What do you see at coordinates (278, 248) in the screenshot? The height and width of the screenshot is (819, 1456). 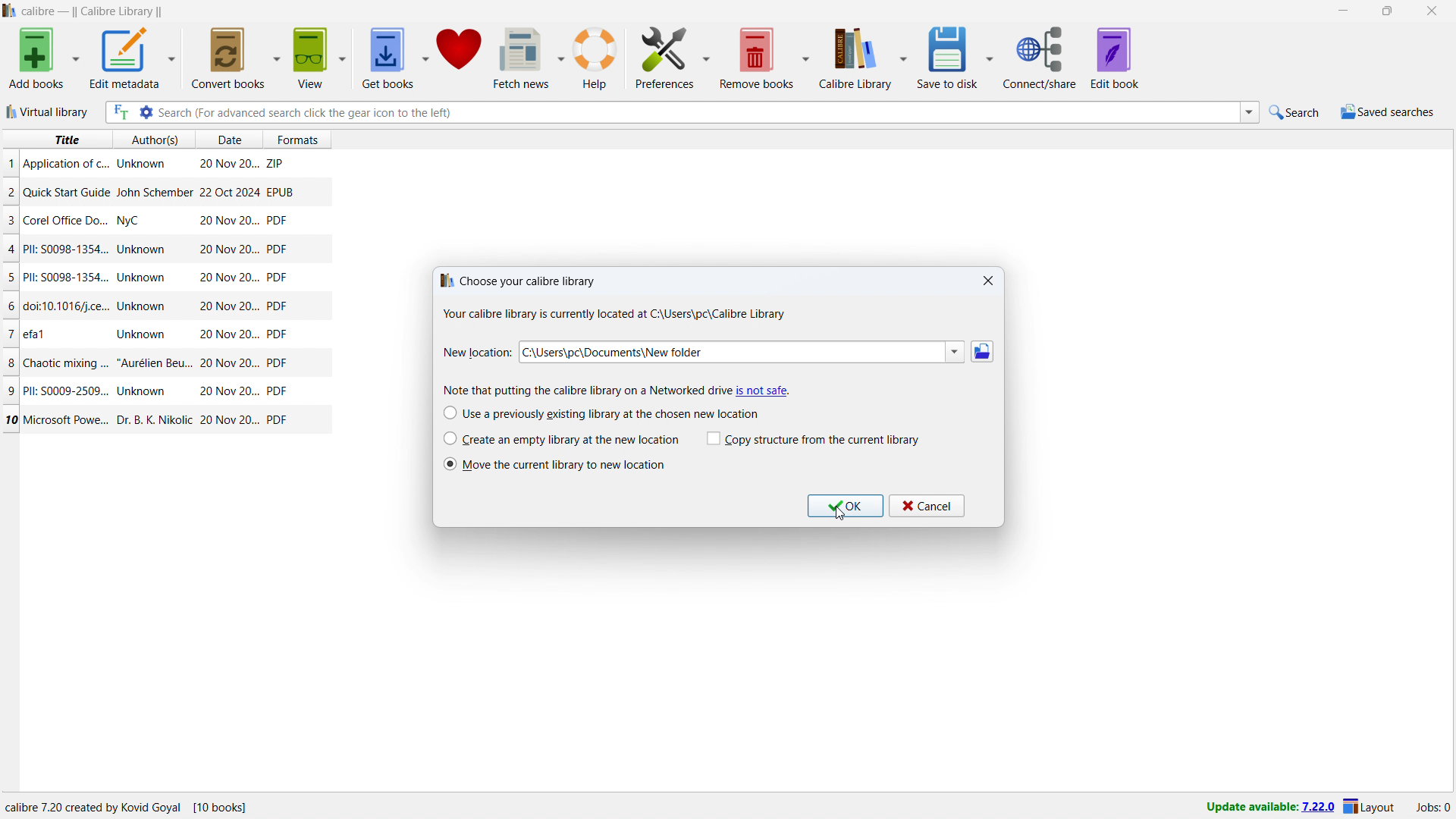 I see `PDF` at bounding box center [278, 248].